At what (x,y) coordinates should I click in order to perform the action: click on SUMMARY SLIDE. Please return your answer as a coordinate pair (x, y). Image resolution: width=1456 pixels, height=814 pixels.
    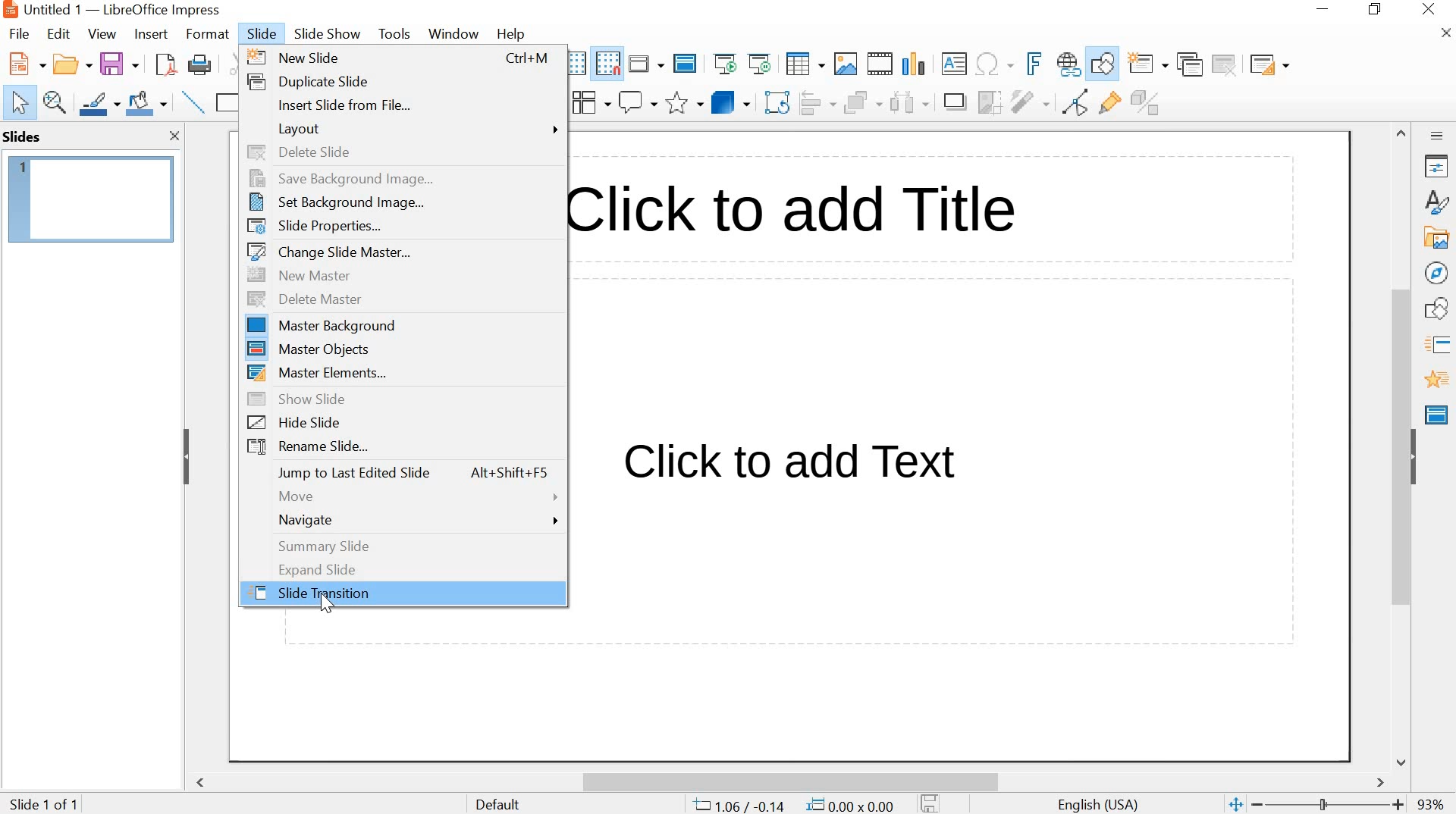
    Looking at the image, I should click on (402, 546).